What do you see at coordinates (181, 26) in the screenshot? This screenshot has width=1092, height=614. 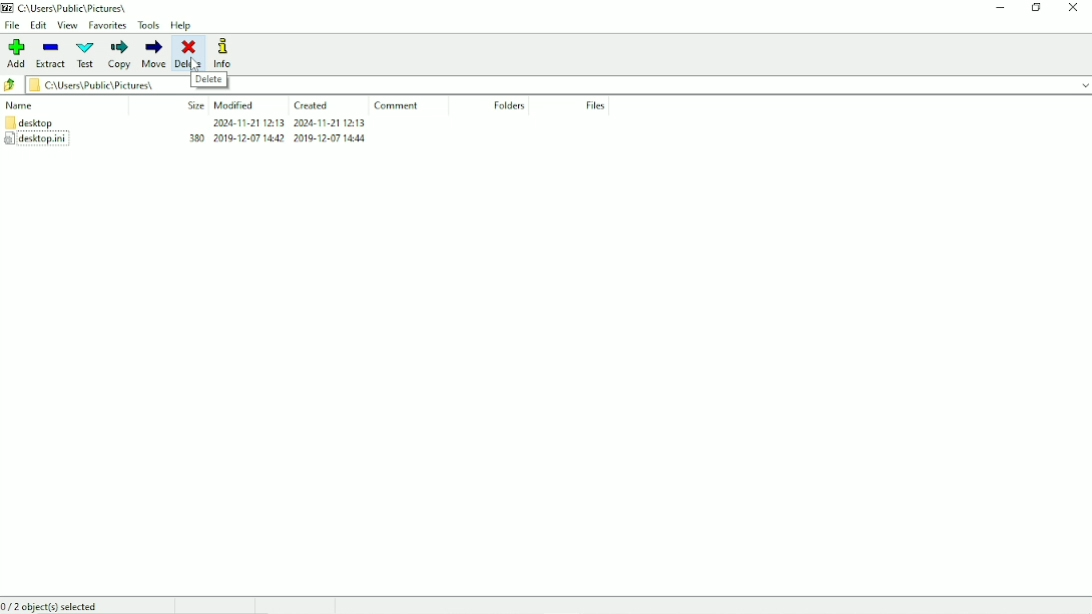 I see `Help` at bounding box center [181, 26].